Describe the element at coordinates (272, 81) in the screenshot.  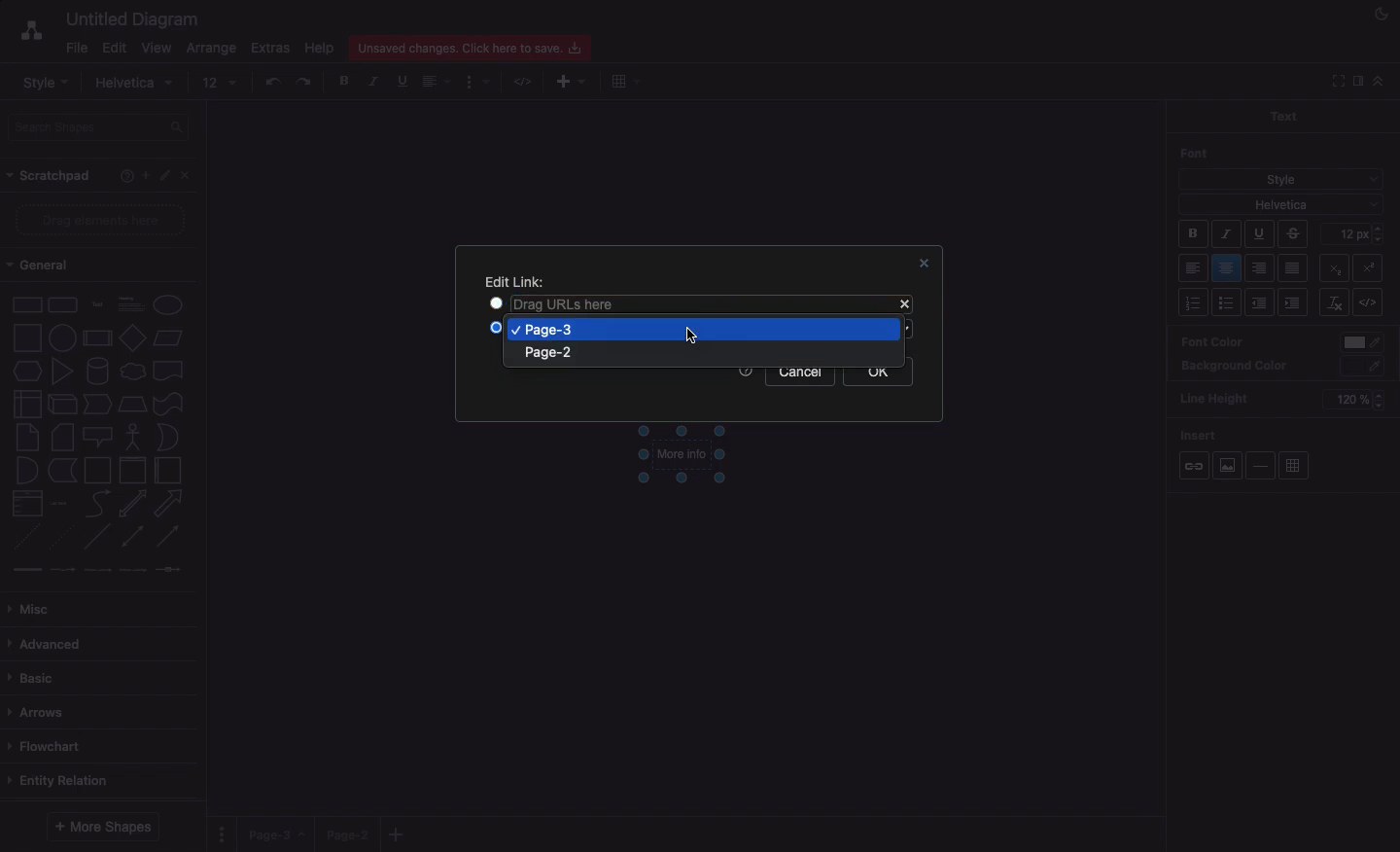
I see `Undo` at that location.